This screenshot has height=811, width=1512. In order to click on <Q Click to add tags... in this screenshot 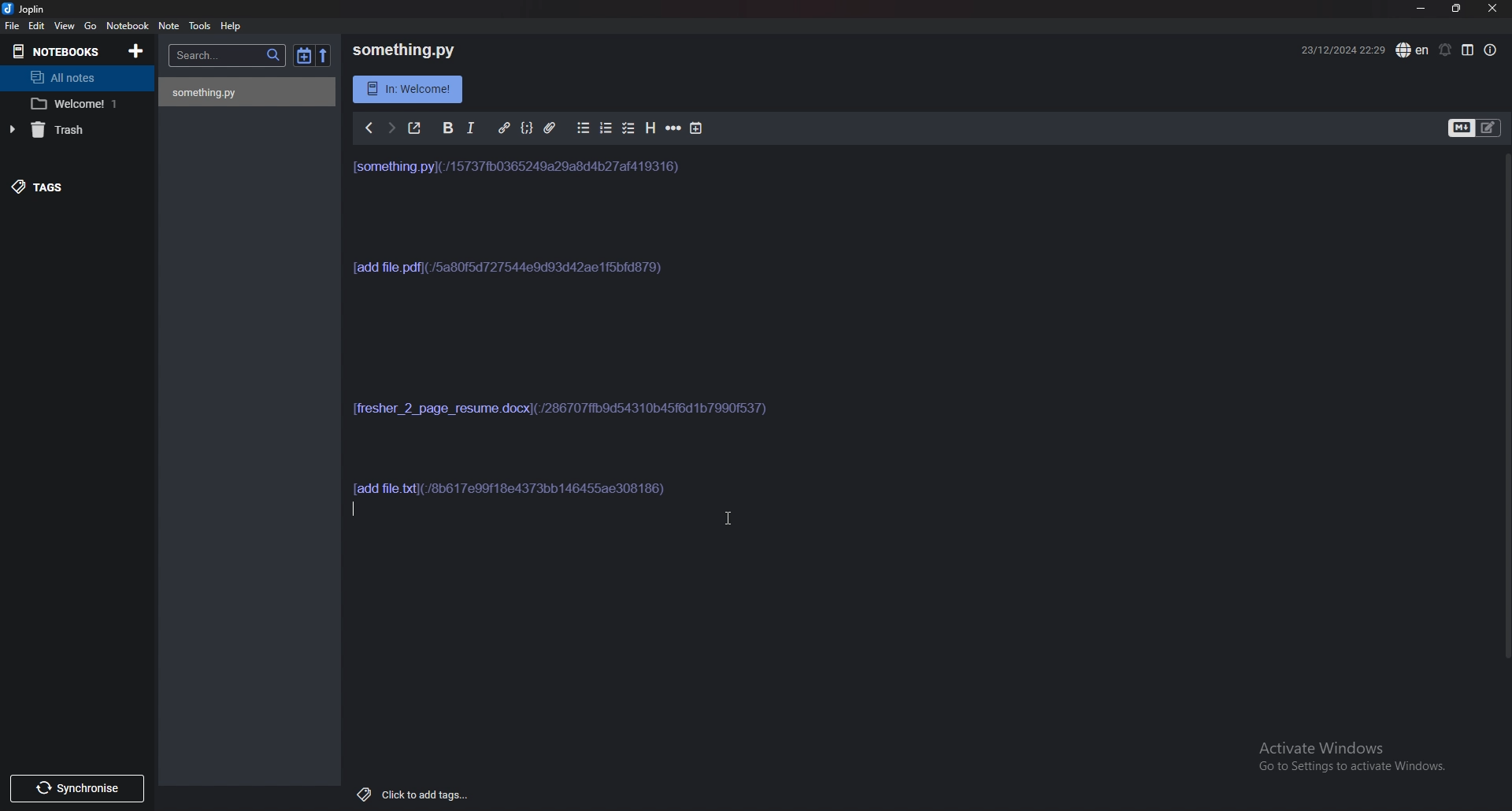, I will do `click(408, 792)`.